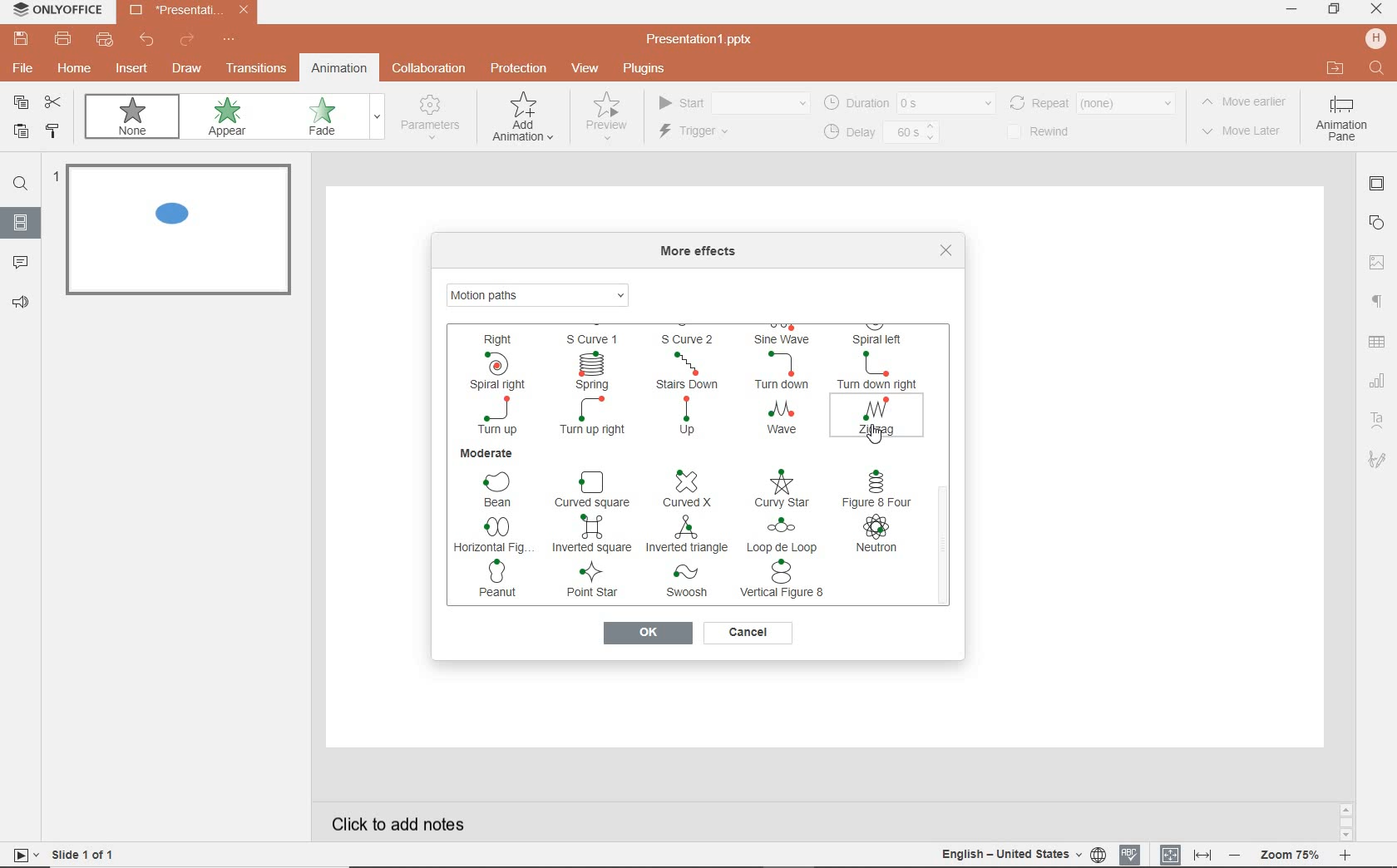 This screenshot has width=1397, height=868. Describe the element at coordinates (21, 224) in the screenshot. I see `slide` at that location.